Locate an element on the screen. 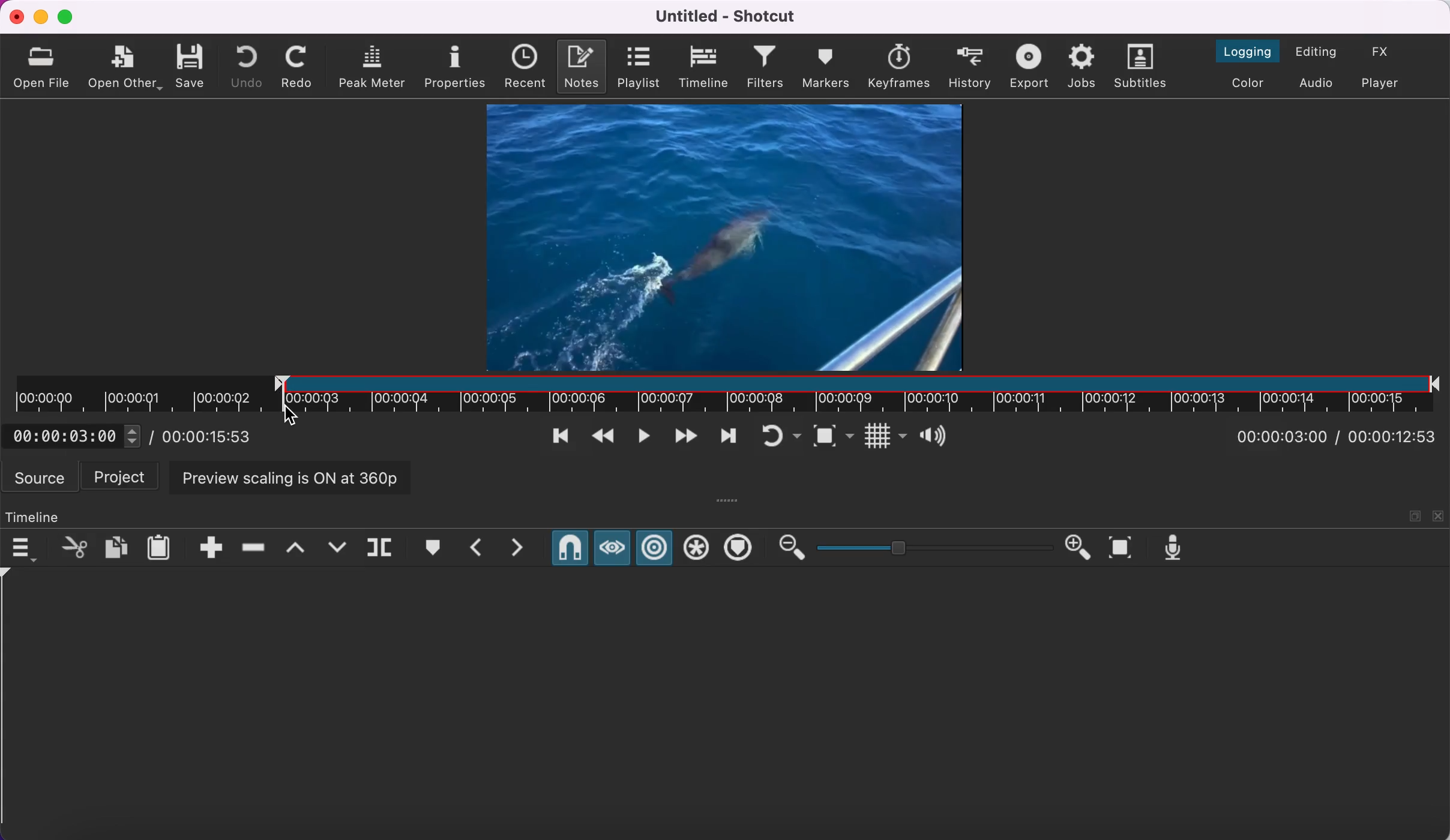 This screenshot has height=840, width=1450. zoom timeline to fit is located at coordinates (1125, 548).